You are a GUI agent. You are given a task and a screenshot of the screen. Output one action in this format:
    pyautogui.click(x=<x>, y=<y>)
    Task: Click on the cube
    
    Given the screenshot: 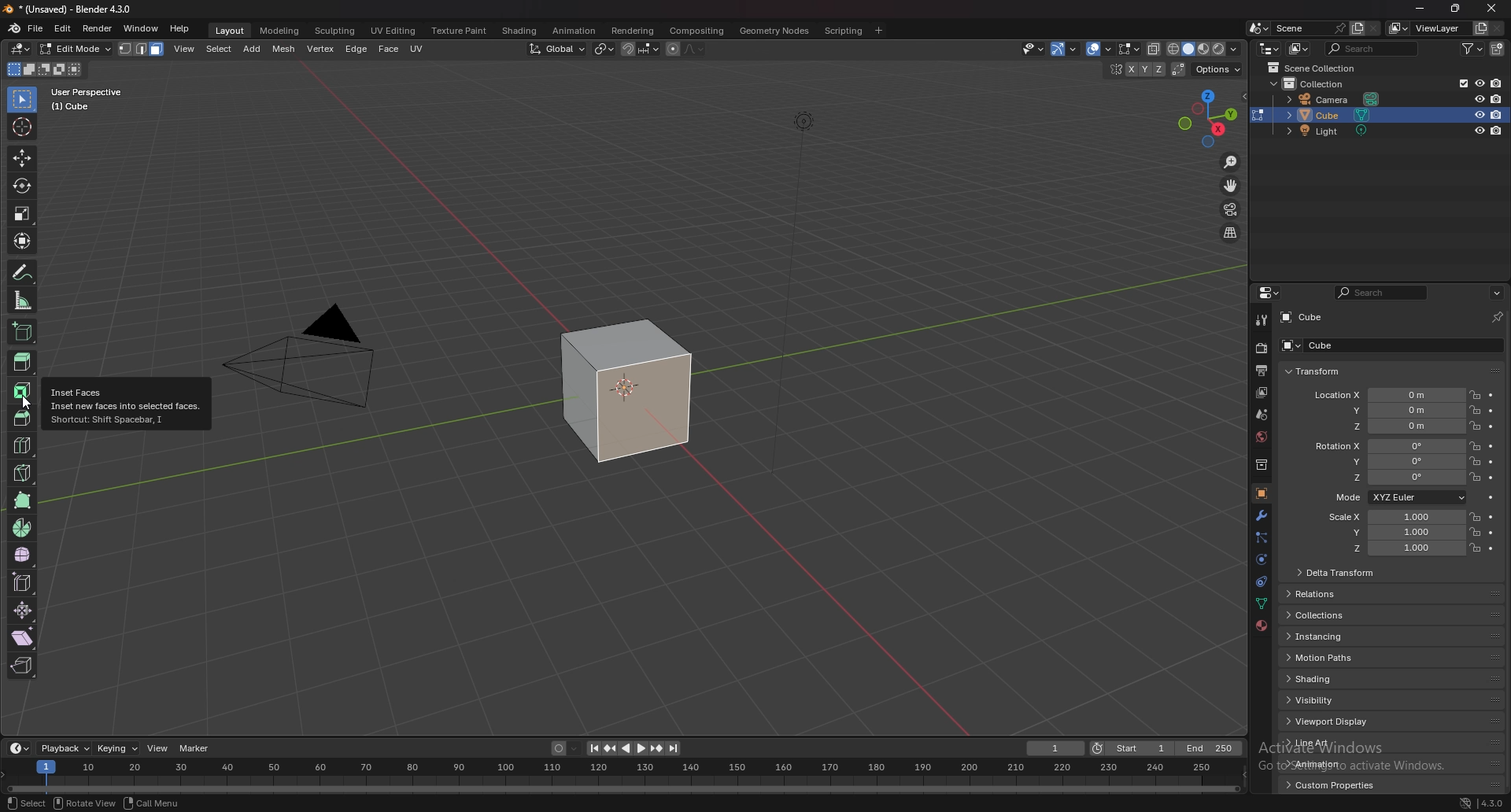 What is the action you would take?
    pyautogui.click(x=1304, y=317)
    